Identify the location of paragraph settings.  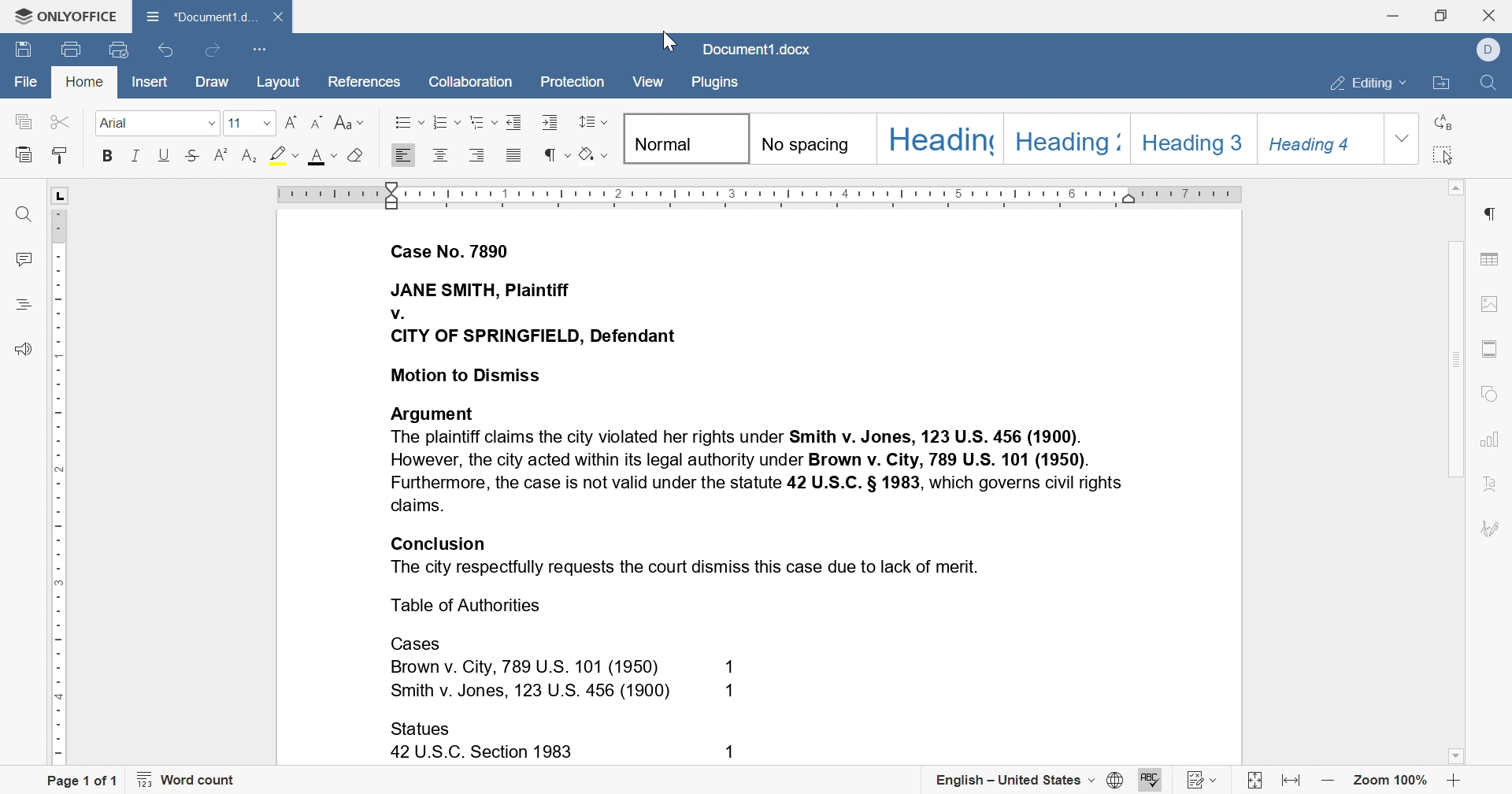
(1489, 213).